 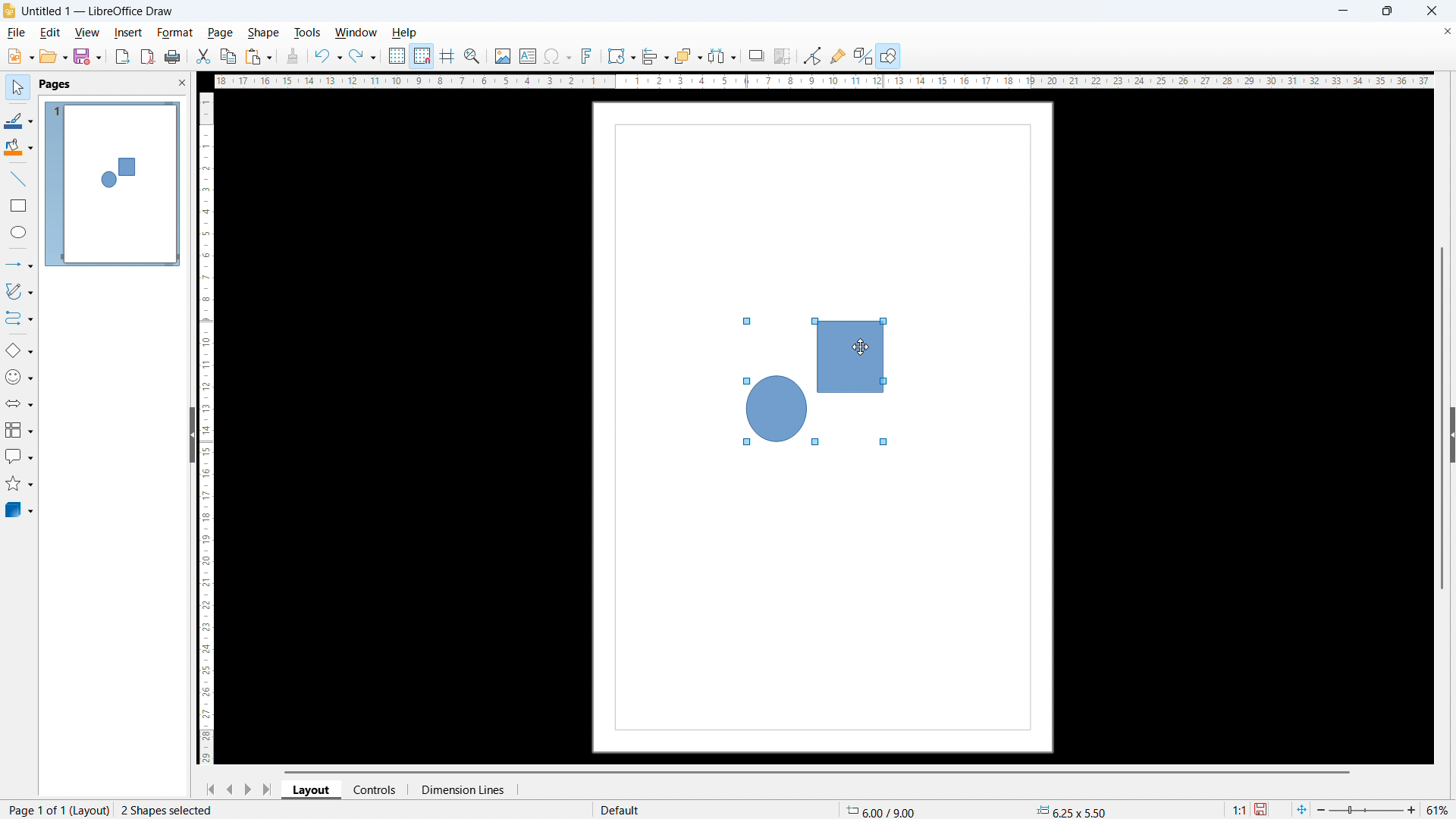 What do you see at coordinates (20, 291) in the screenshot?
I see `curves & polygons` at bounding box center [20, 291].